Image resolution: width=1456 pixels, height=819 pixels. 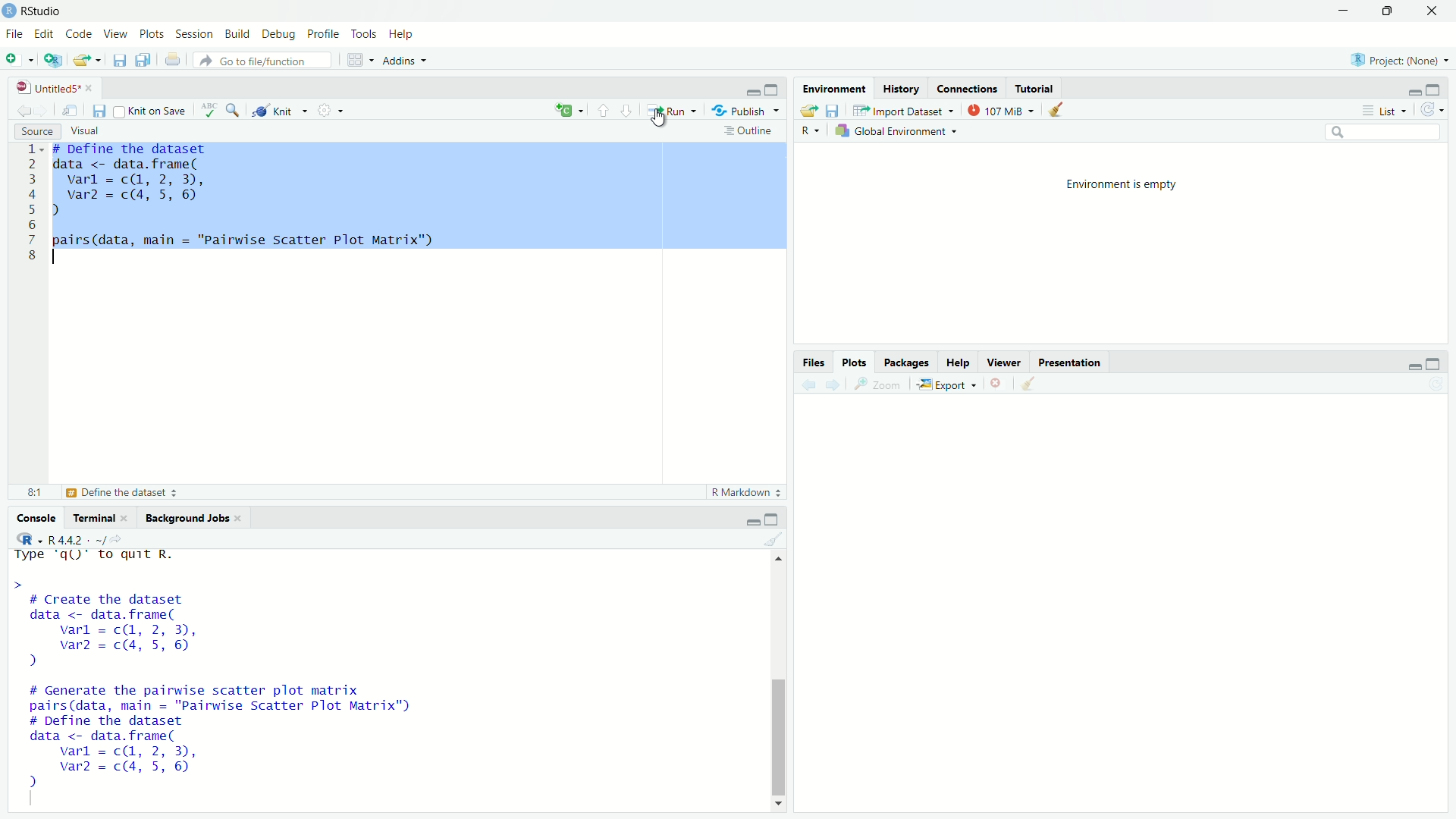 I want to click on Publish, so click(x=745, y=109).